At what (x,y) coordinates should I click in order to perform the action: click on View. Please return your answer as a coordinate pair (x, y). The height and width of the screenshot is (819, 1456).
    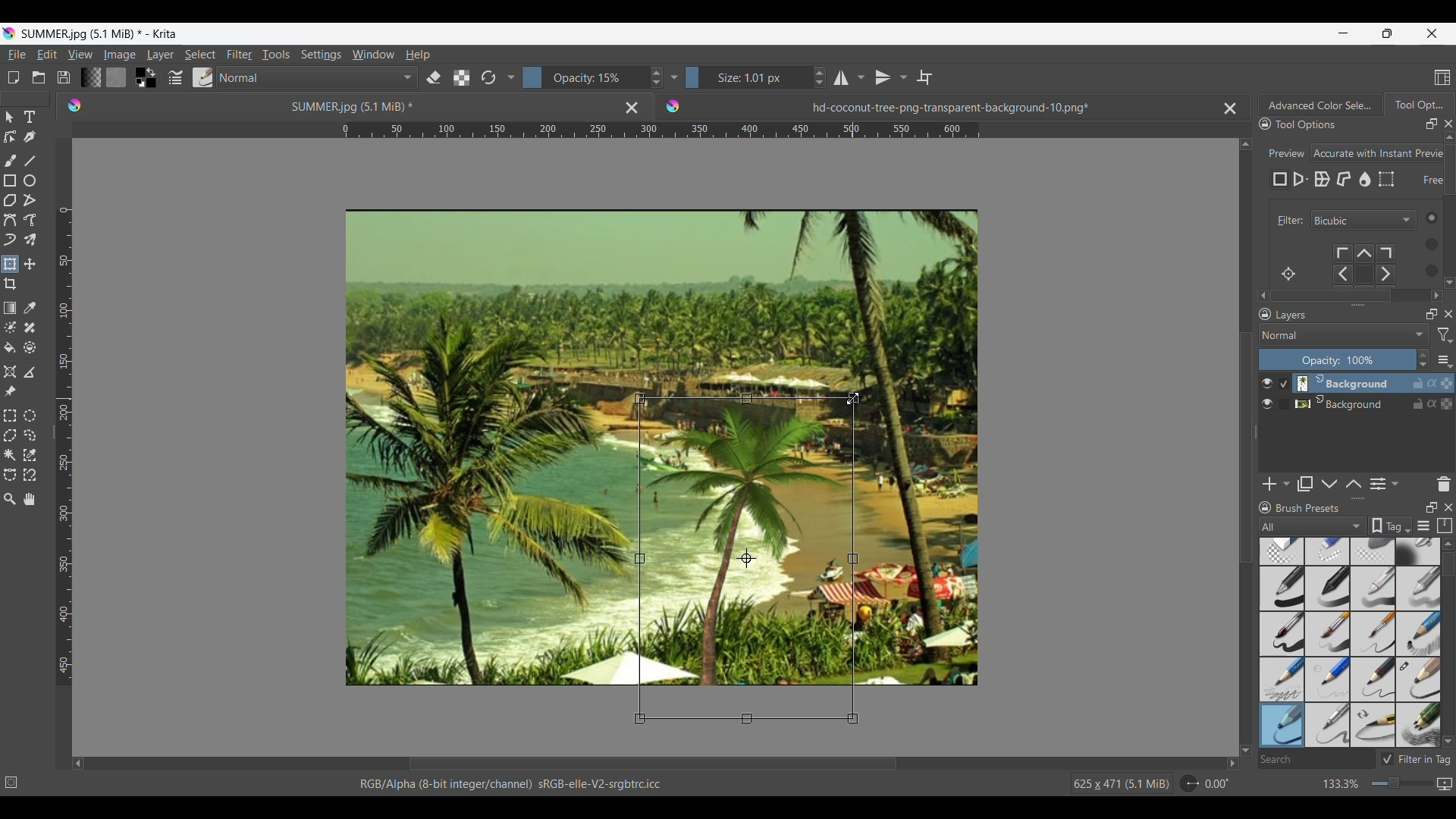
    Looking at the image, I should click on (80, 55).